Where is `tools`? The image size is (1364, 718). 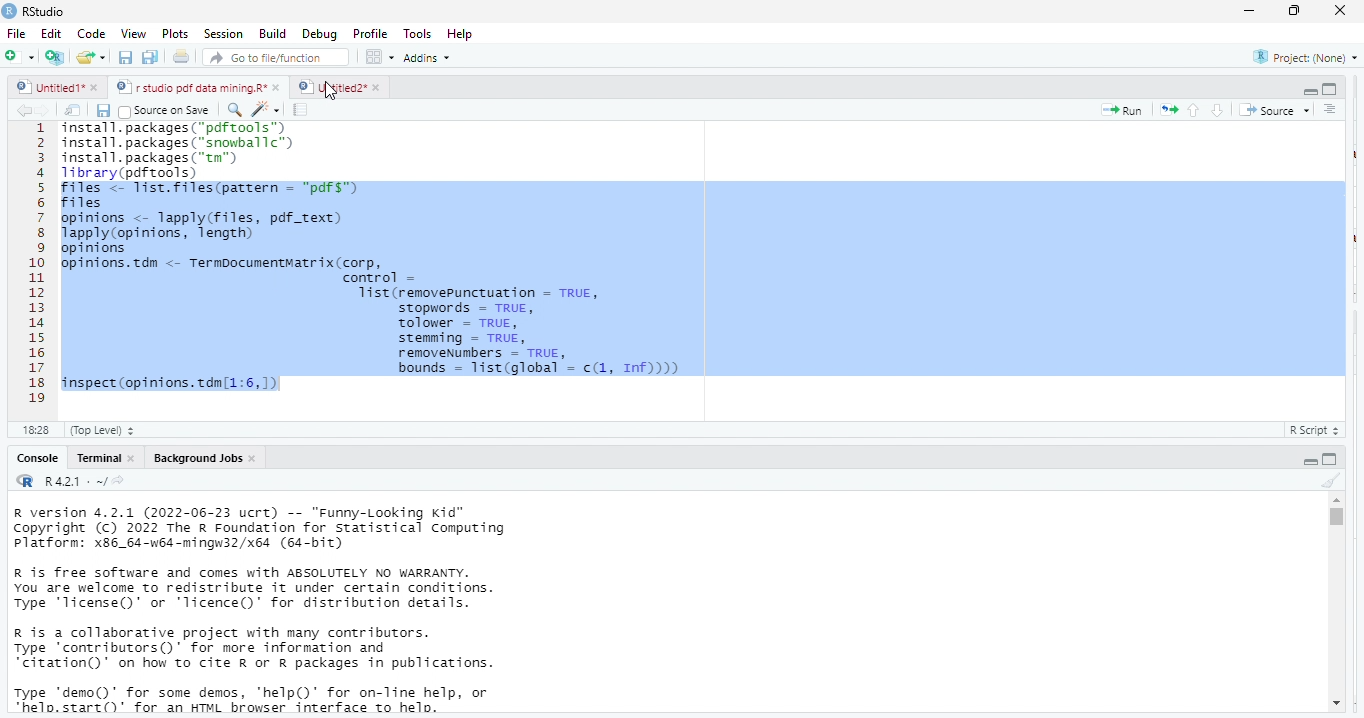
tools is located at coordinates (420, 32).